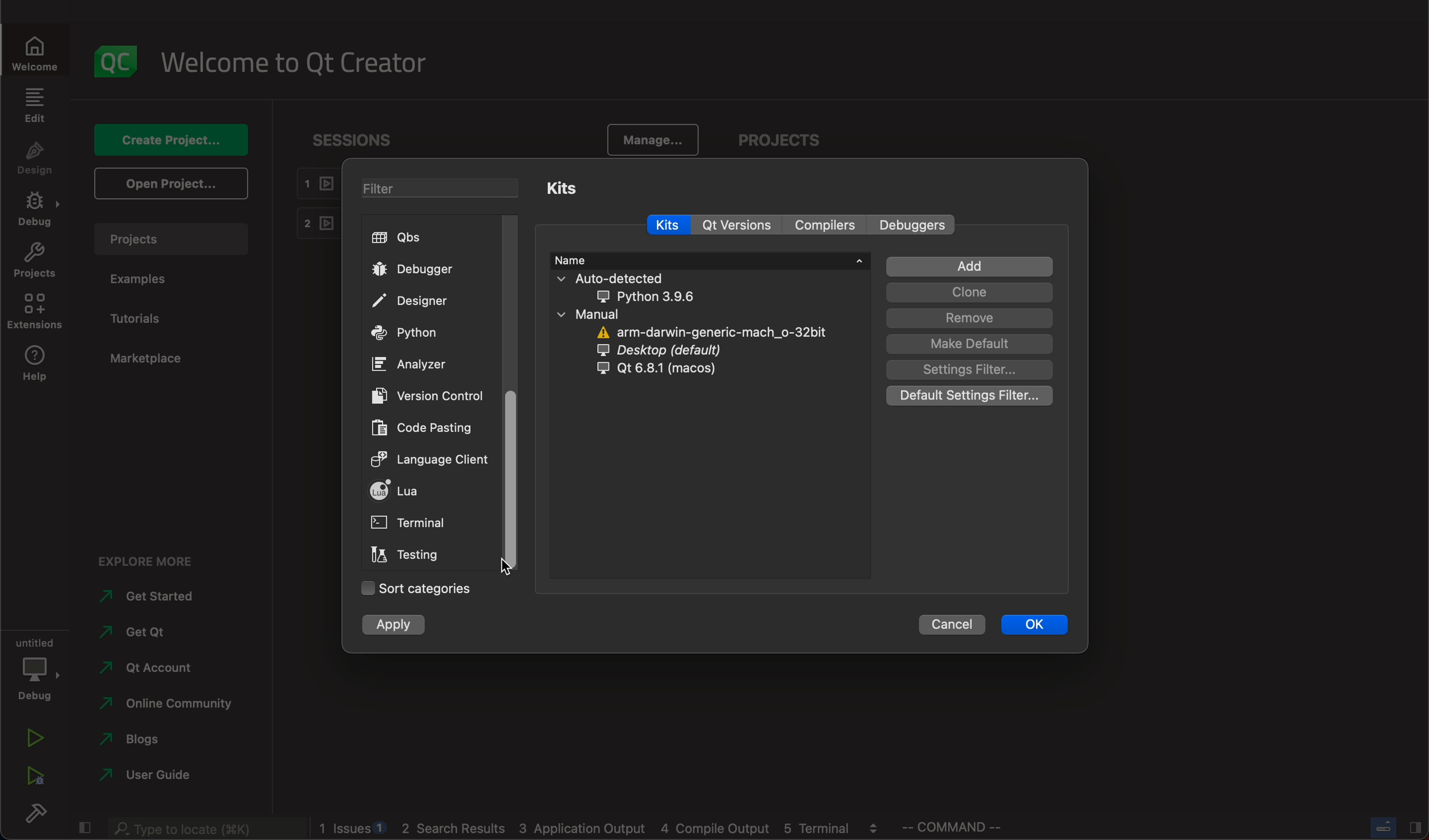 This screenshot has height=840, width=1429. Describe the element at coordinates (139, 317) in the screenshot. I see `tutorials` at that location.